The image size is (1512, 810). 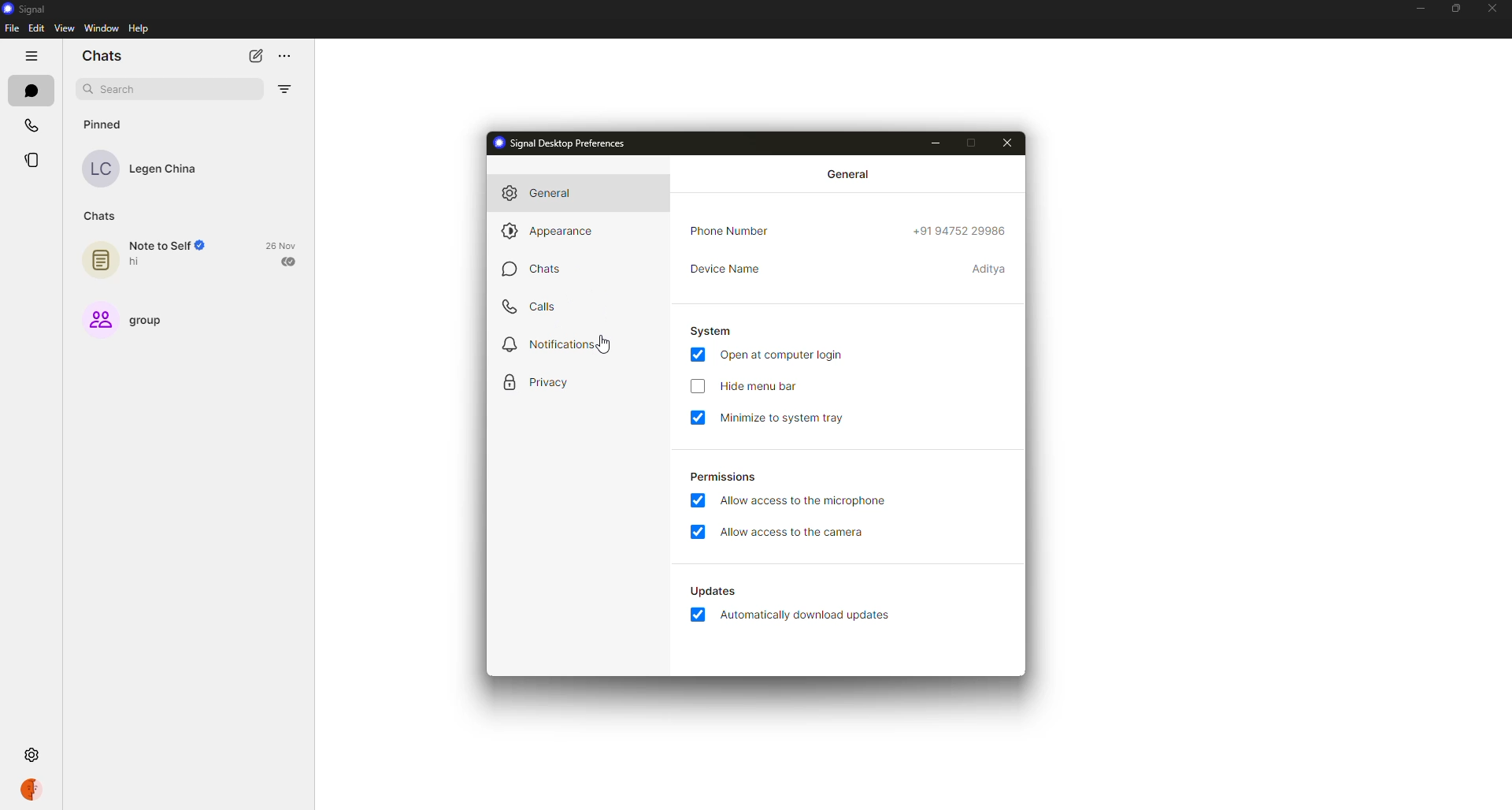 What do you see at coordinates (287, 86) in the screenshot?
I see `filter` at bounding box center [287, 86].